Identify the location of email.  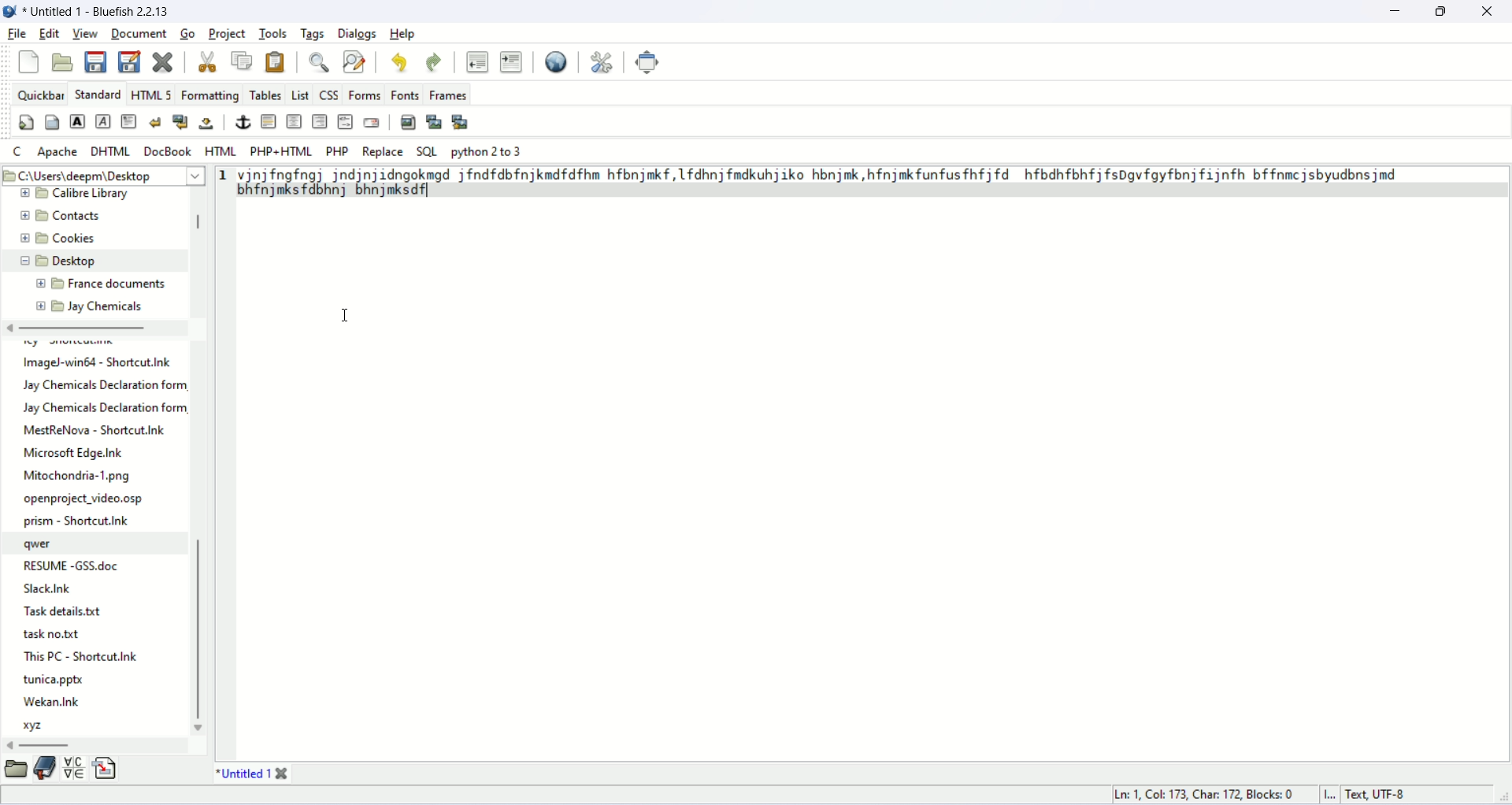
(371, 122).